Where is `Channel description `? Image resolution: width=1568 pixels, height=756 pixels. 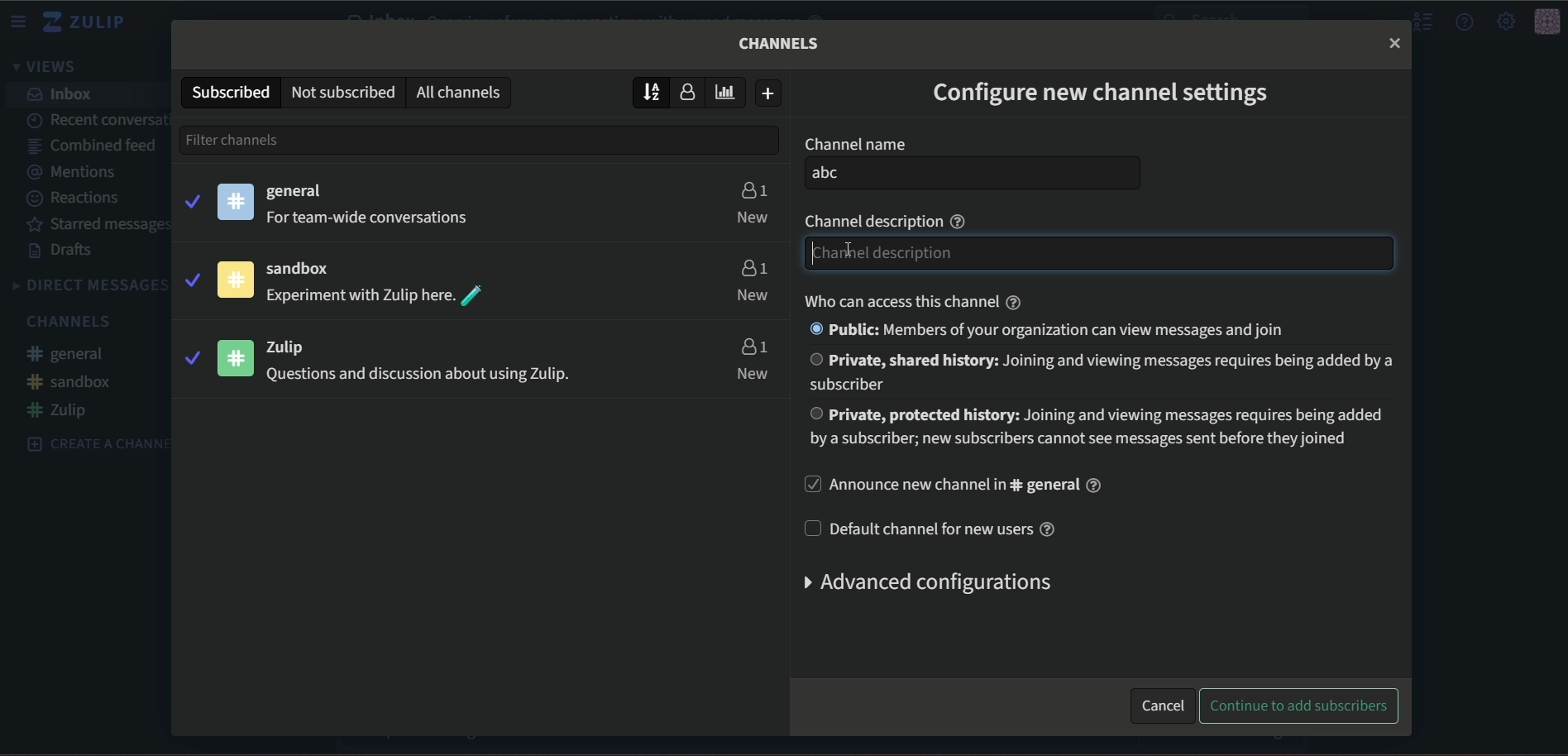
Channel description  is located at coordinates (888, 218).